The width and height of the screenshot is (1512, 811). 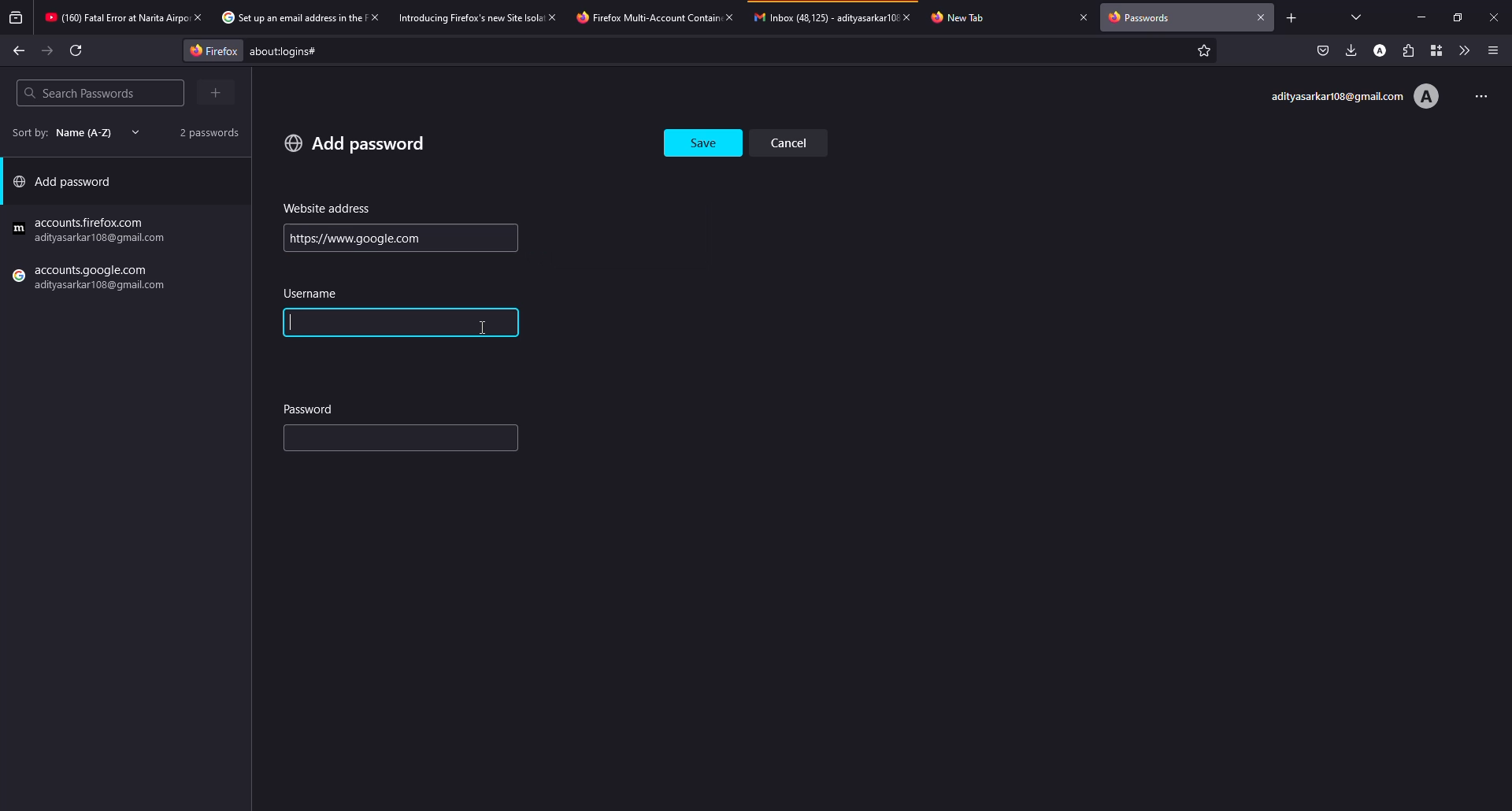 What do you see at coordinates (1382, 50) in the screenshot?
I see `account` at bounding box center [1382, 50].